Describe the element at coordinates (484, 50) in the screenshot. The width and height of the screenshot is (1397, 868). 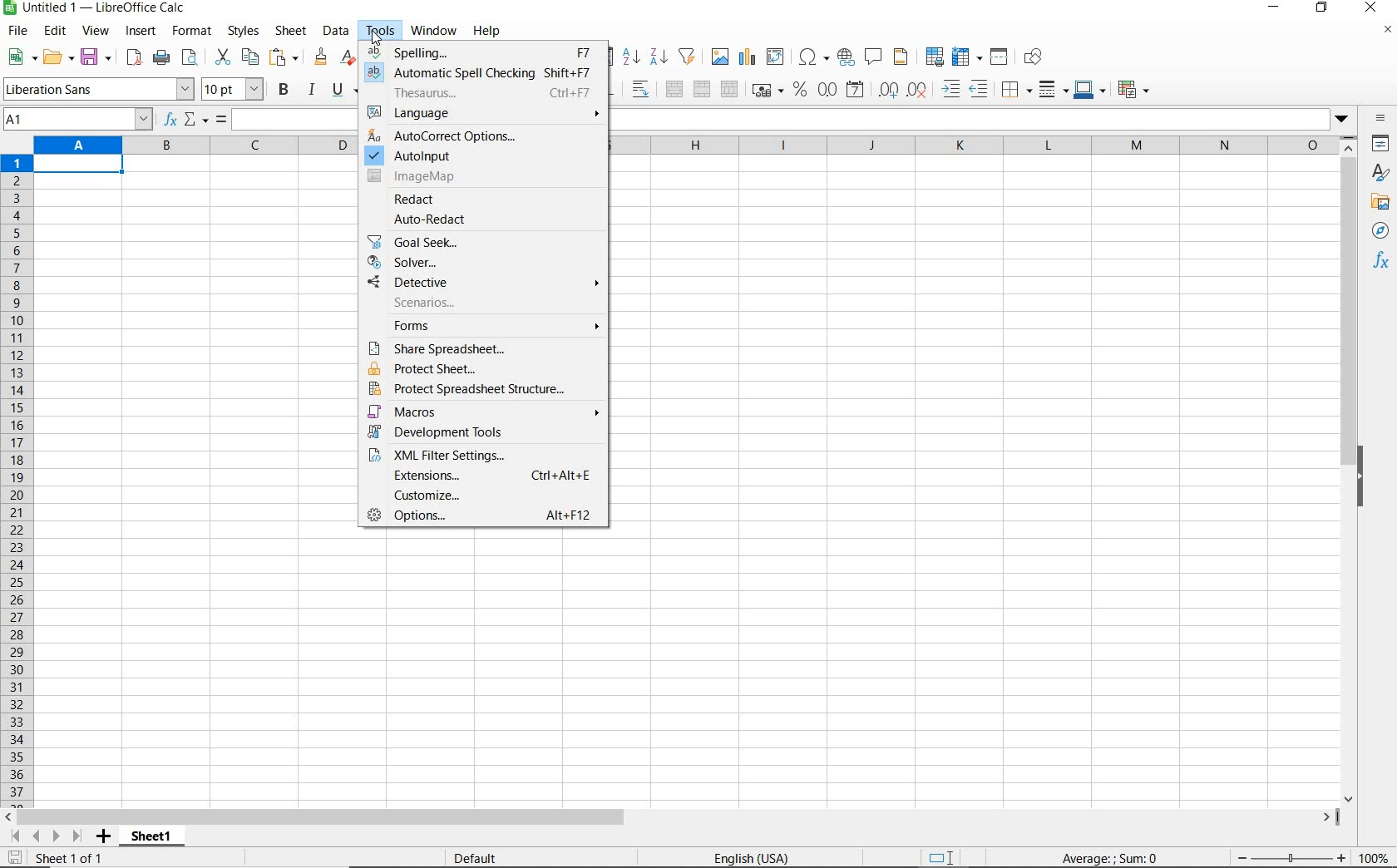
I see `spelling` at that location.